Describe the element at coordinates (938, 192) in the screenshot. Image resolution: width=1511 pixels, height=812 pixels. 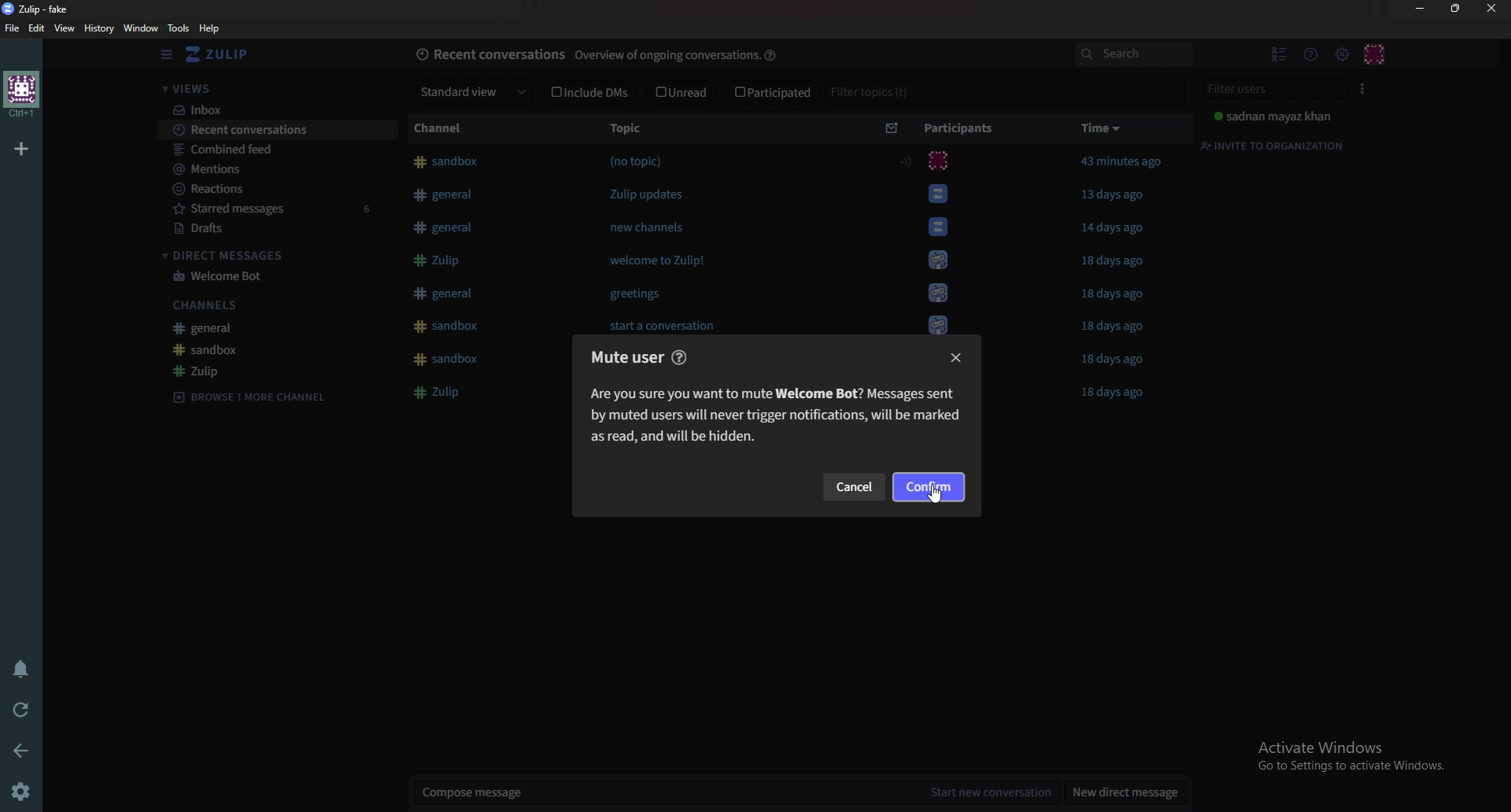
I see `icon` at that location.